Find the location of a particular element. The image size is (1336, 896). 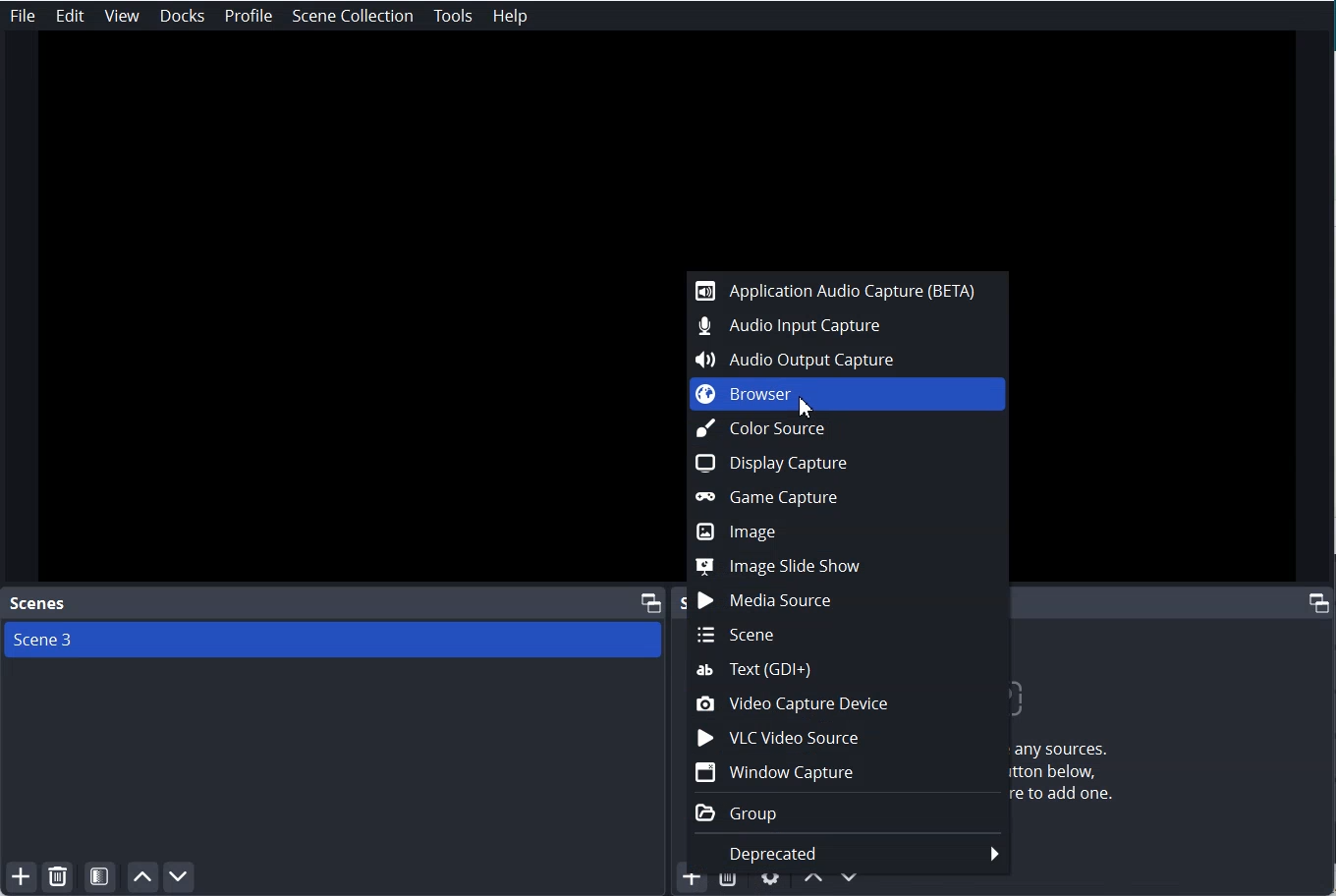

Game Capture is located at coordinates (848, 495).